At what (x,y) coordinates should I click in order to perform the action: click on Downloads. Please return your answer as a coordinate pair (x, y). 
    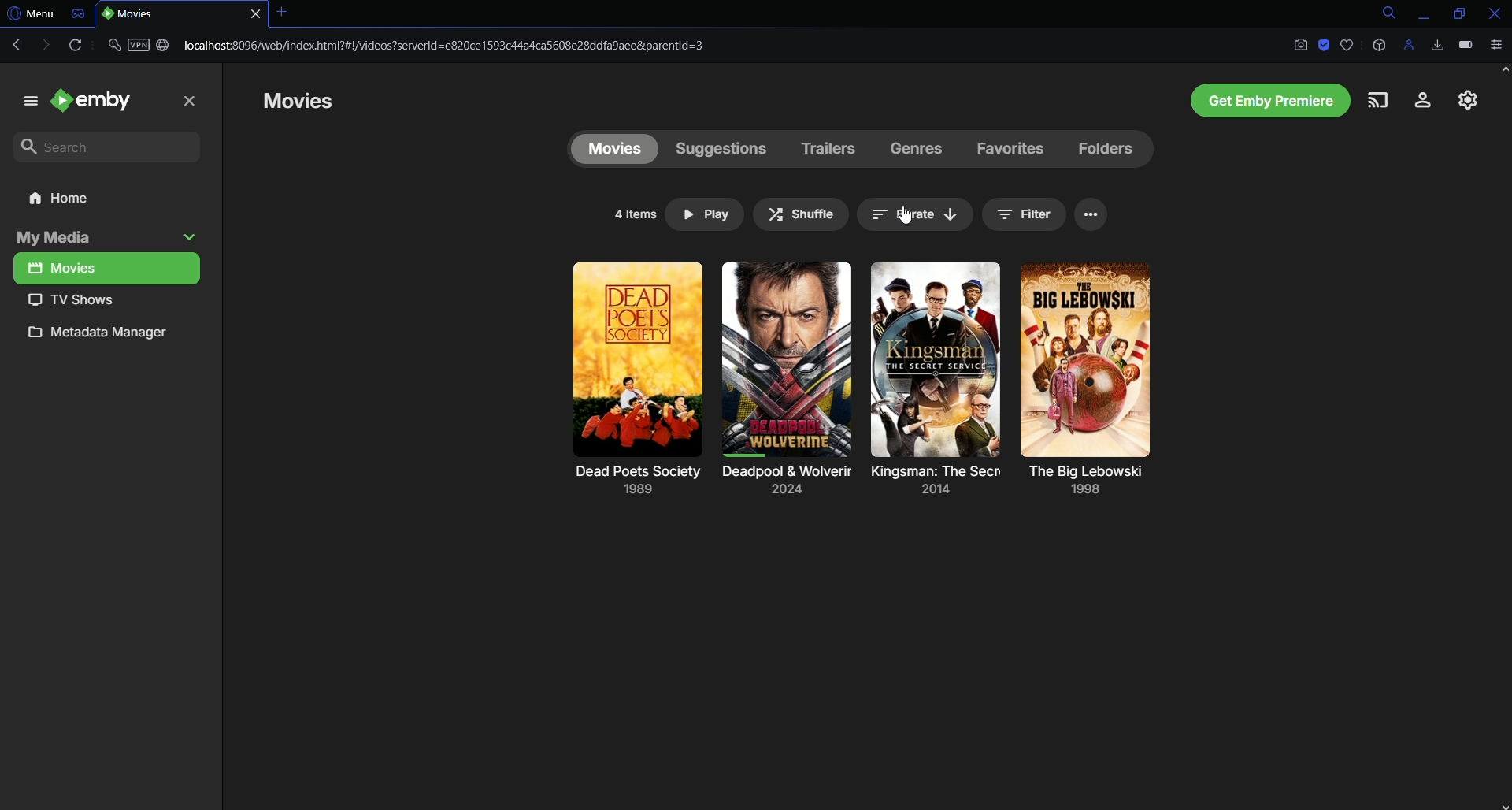
    Looking at the image, I should click on (1440, 44).